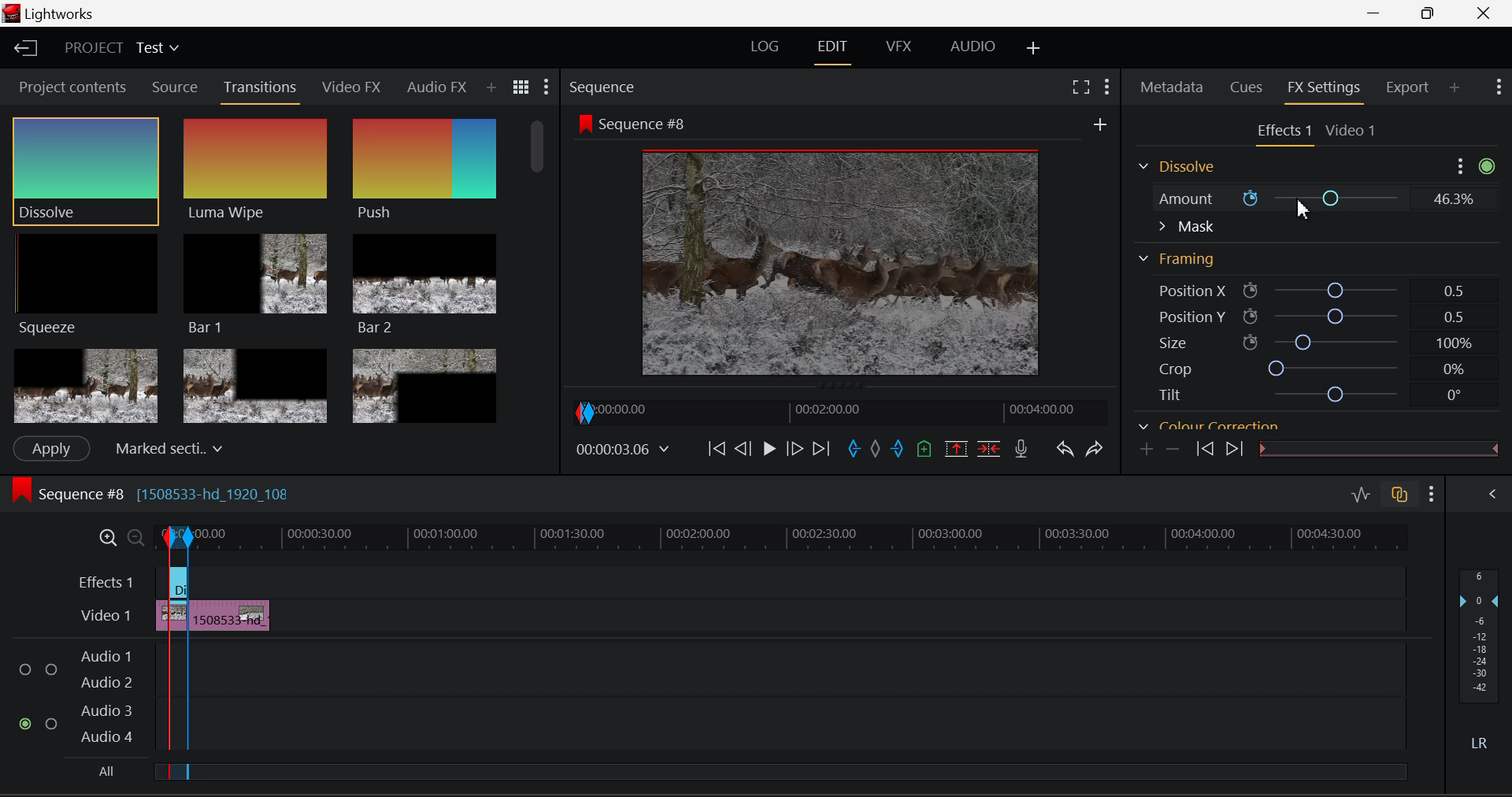 This screenshot has width=1512, height=797. Describe the element at coordinates (969, 50) in the screenshot. I see `Audio Layout` at that location.